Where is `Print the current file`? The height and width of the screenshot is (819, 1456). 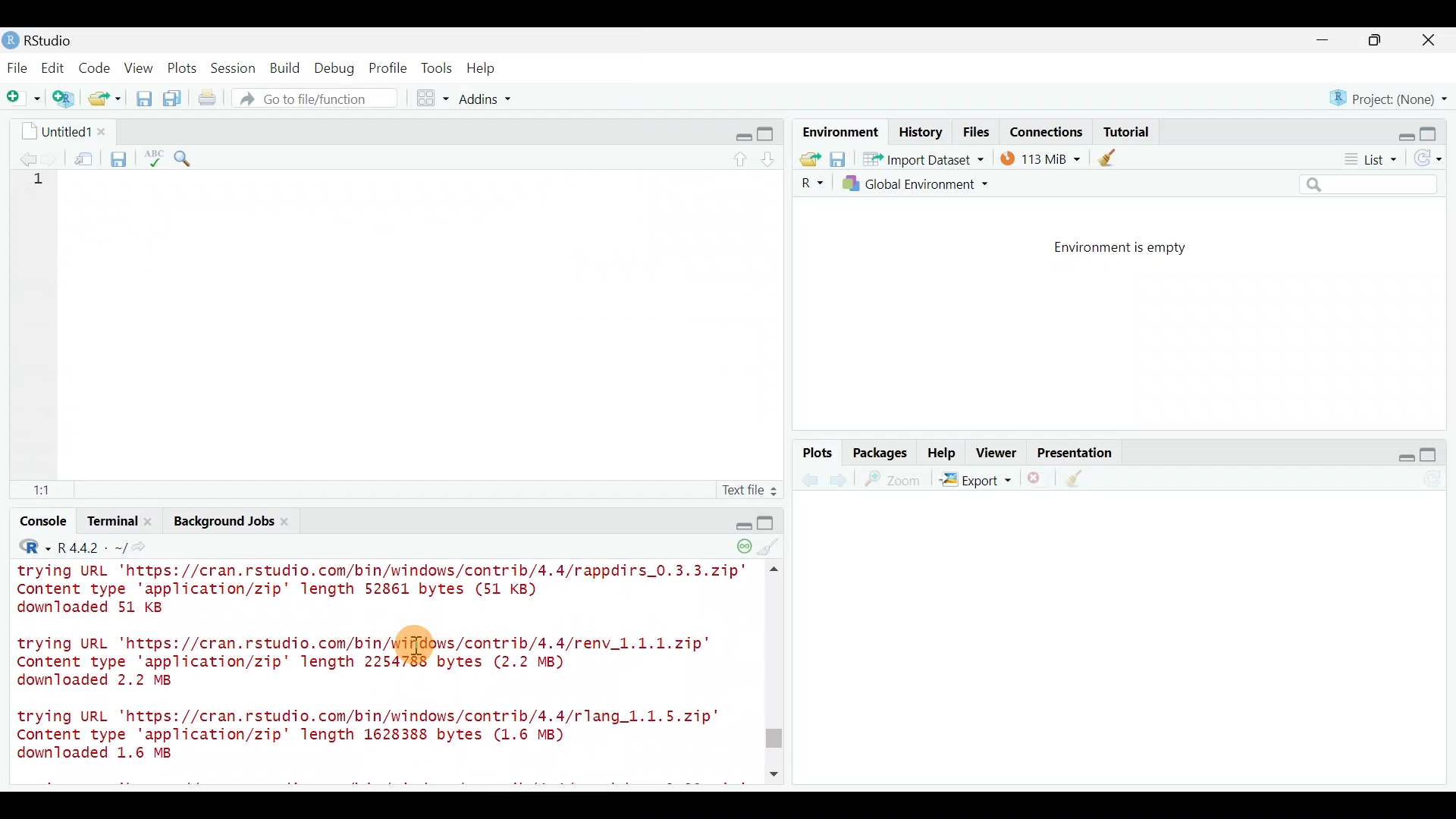
Print the current file is located at coordinates (209, 99).